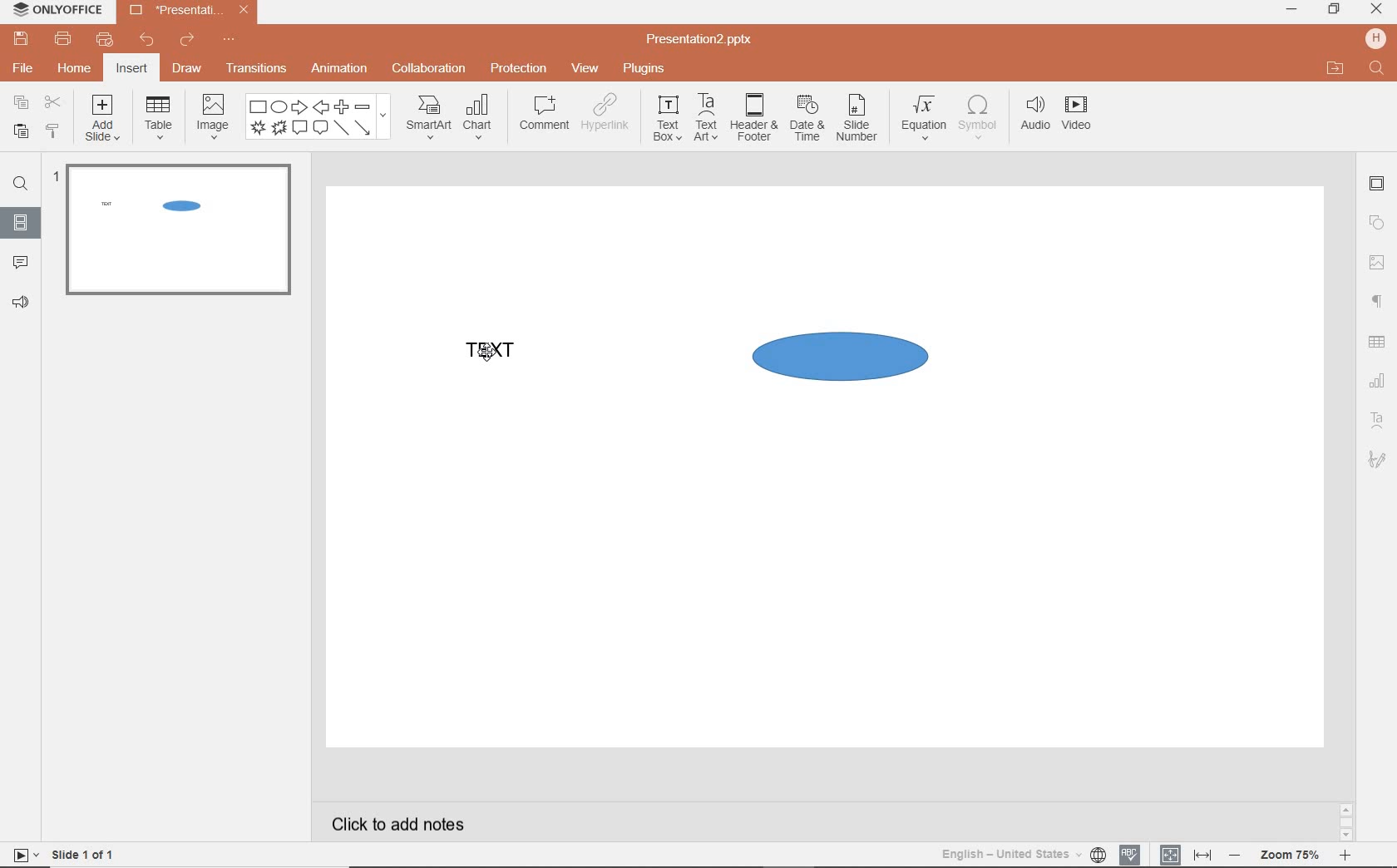 This screenshot has width=1397, height=868. Describe the element at coordinates (18, 186) in the screenshot. I see `FIND` at that location.